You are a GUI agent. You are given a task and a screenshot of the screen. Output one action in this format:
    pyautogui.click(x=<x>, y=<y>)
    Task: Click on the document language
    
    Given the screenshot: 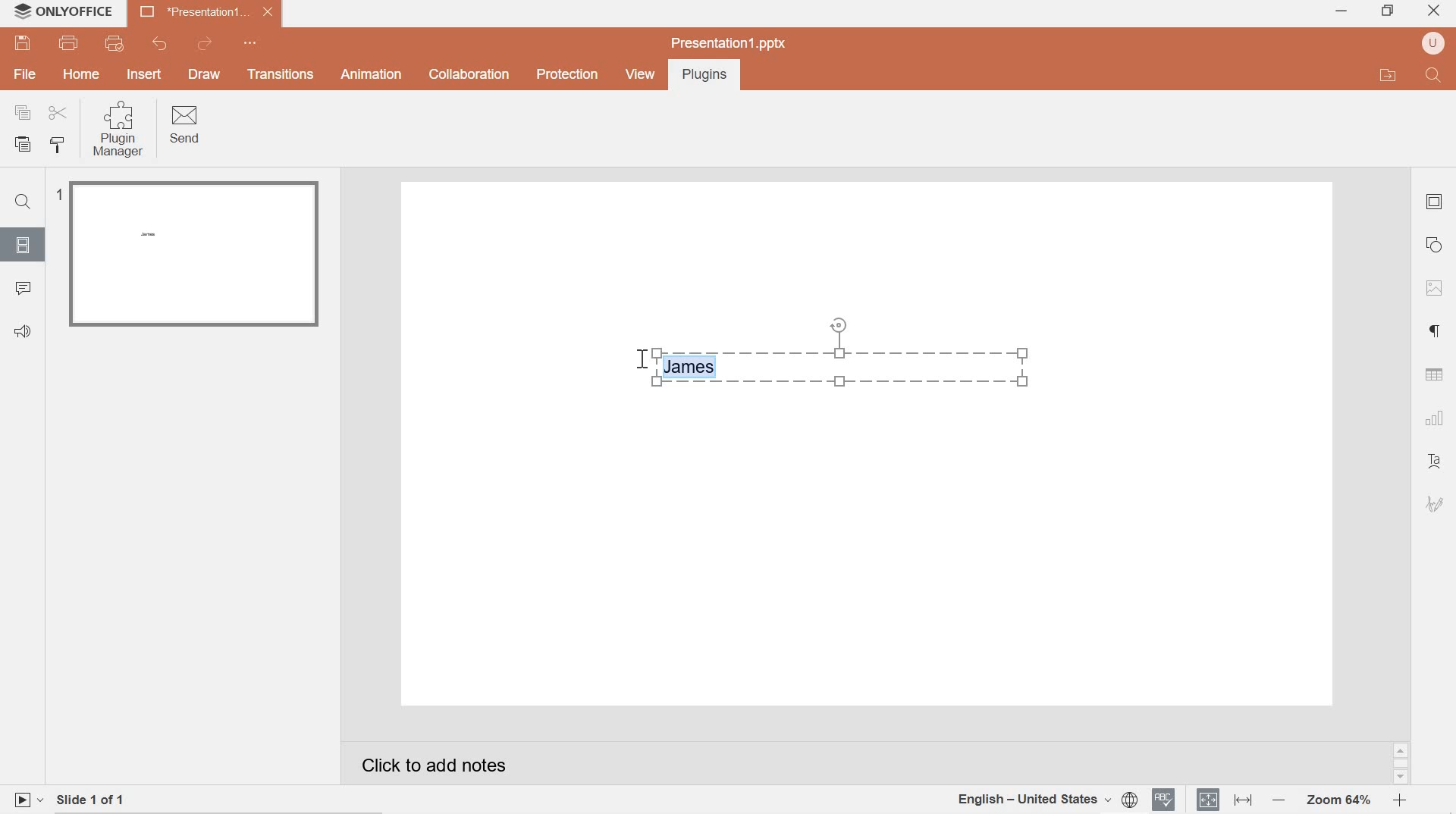 What is the action you would take?
    pyautogui.click(x=1046, y=797)
    